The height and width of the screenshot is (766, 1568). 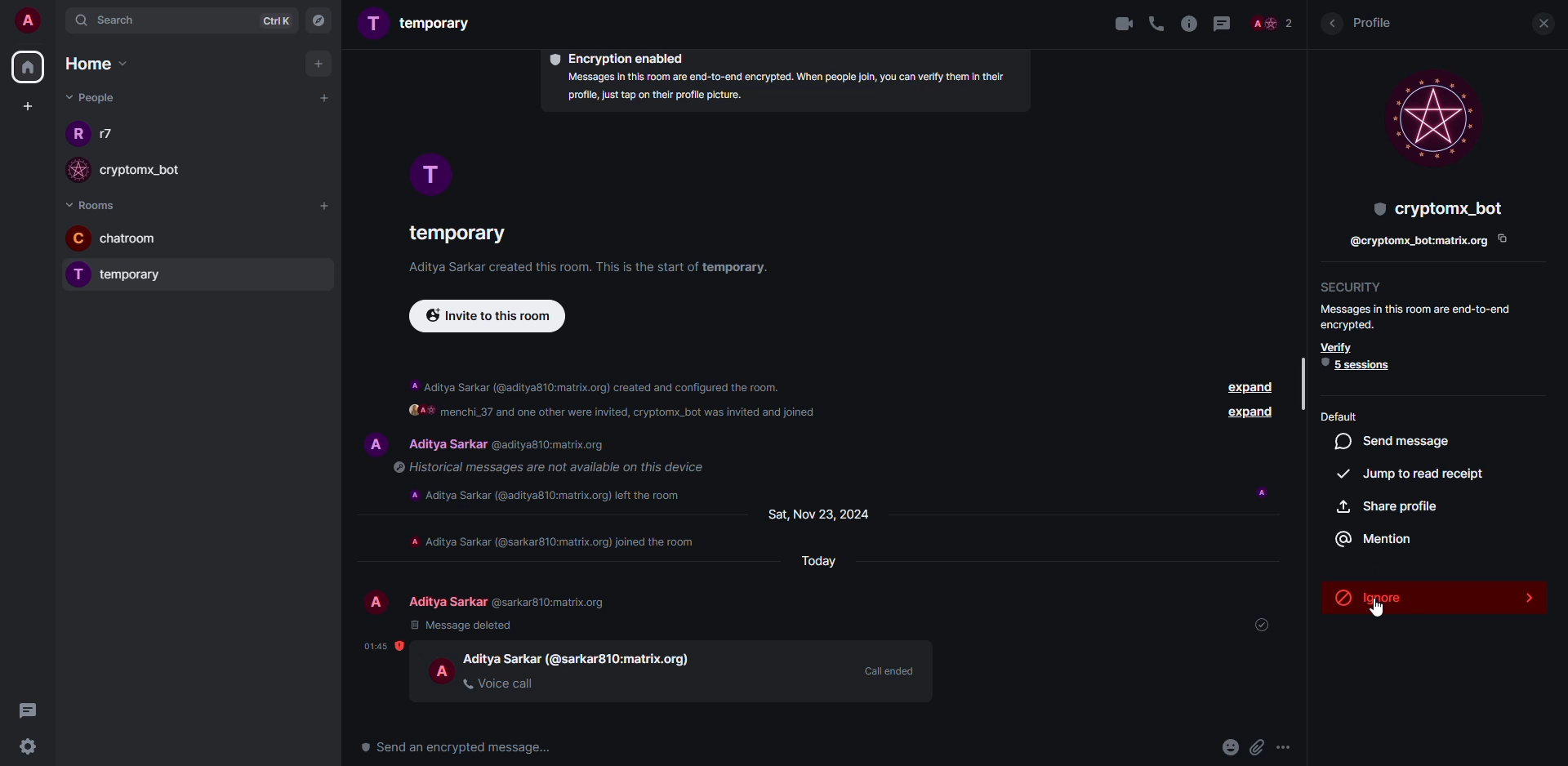 I want to click on profile, so click(x=74, y=137).